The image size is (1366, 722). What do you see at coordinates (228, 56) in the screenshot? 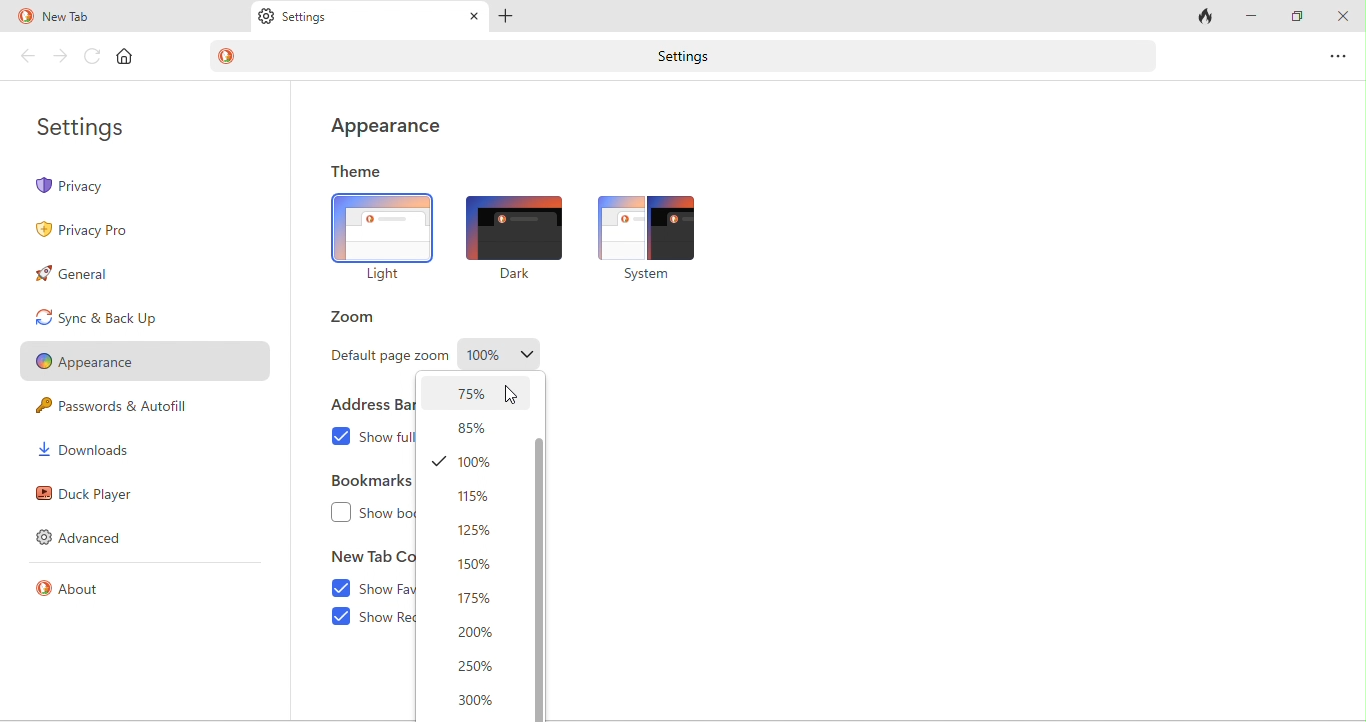
I see `duck duck go logo` at bounding box center [228, 56].